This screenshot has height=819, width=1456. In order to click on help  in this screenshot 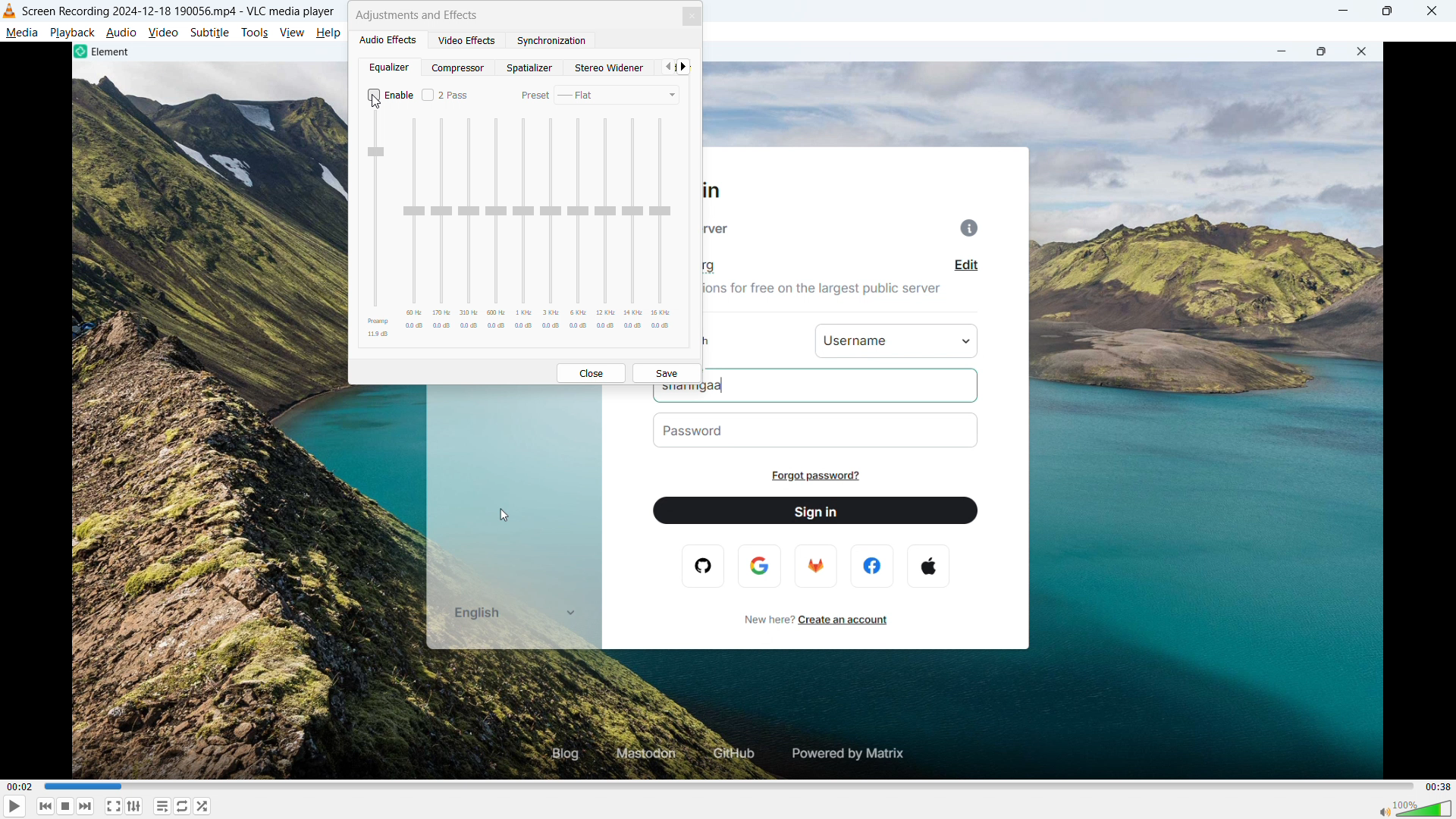, I will do `click(329, 33)`.